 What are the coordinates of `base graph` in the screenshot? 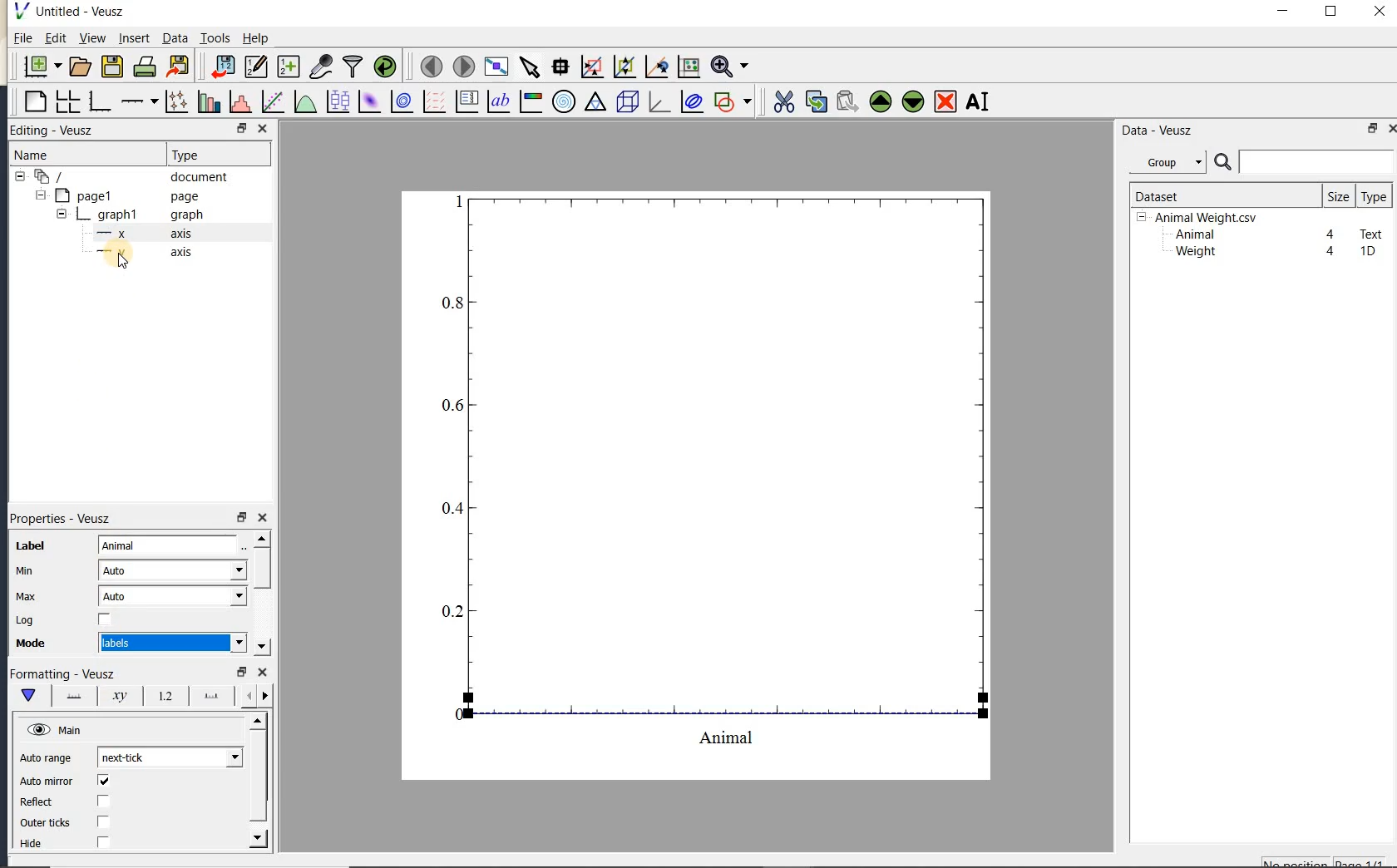 It's located at (98, 101).